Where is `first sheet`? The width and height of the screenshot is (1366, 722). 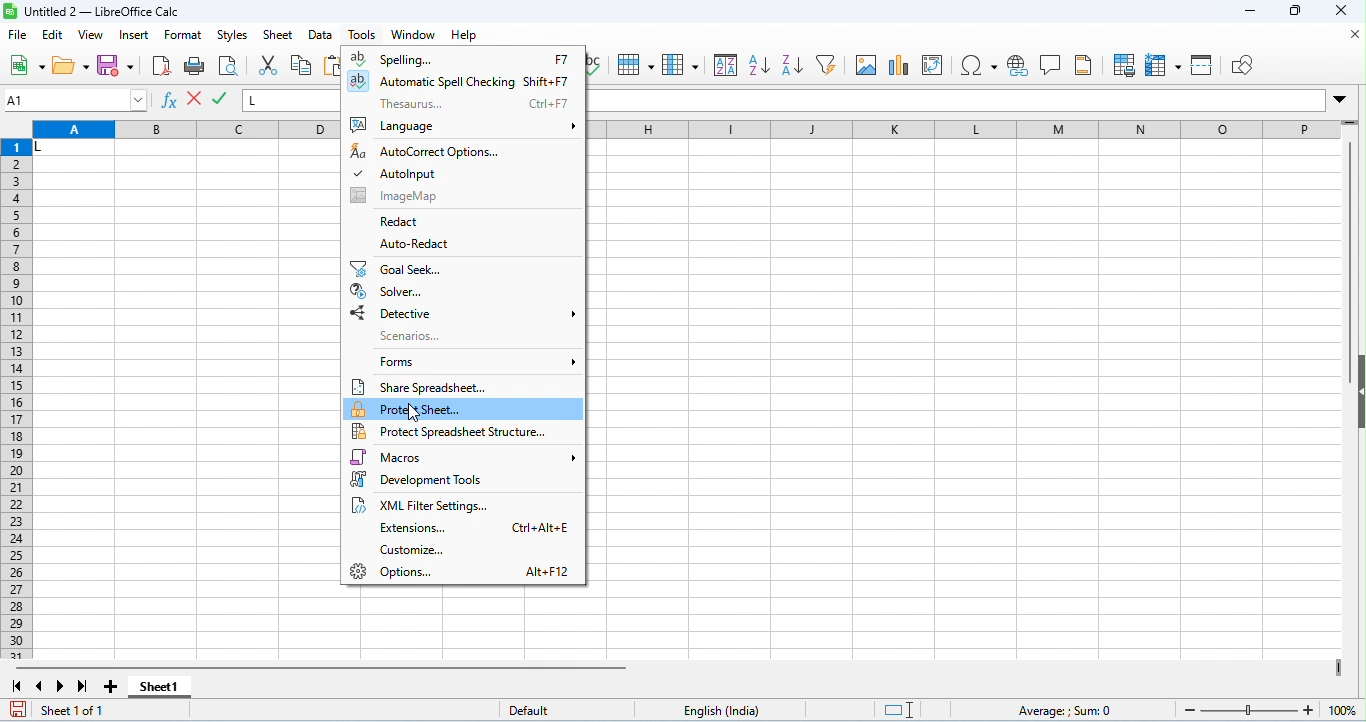
first sheet is located at coordinates (17, 685).